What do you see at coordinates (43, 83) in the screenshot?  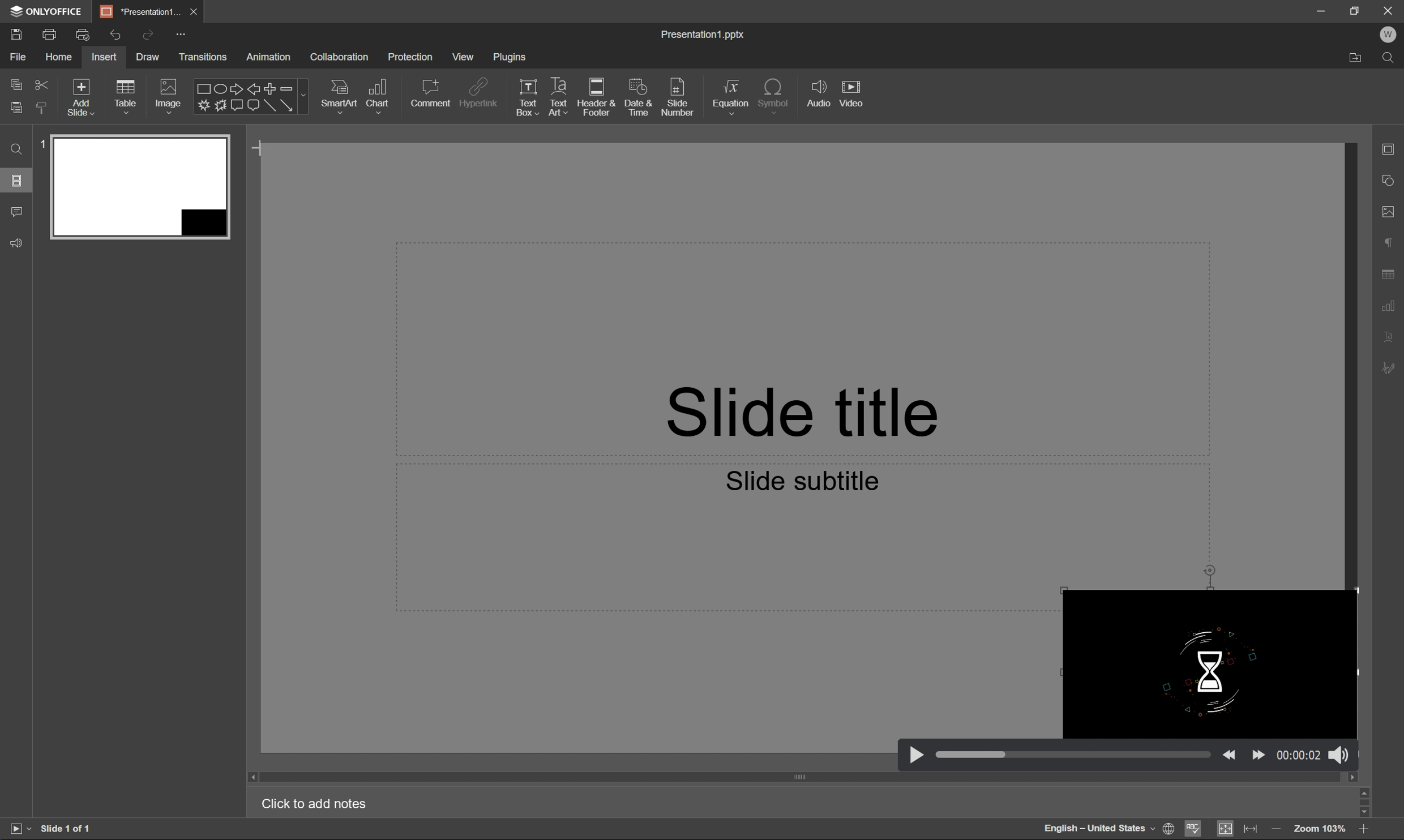 I see `cut` at bounding box center [43, 83].